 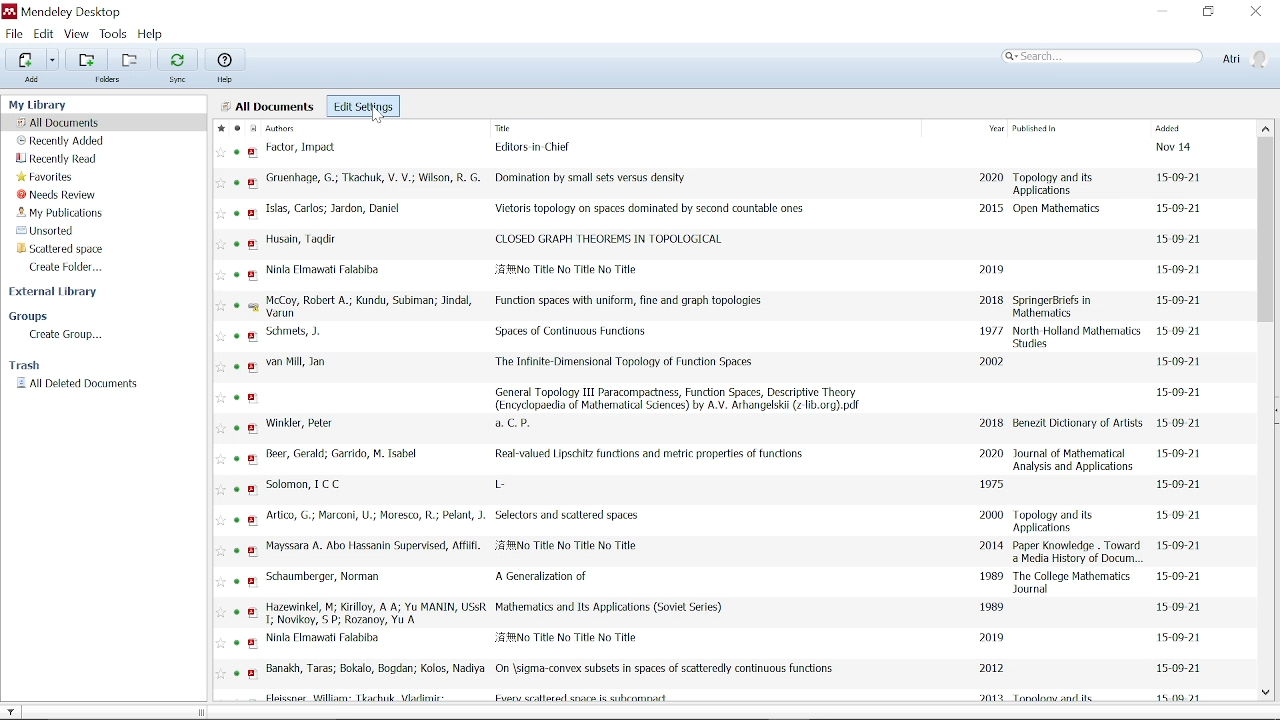 What do you see at coordinates (115, 35) in the screenshot?
I see `Tools` at bounding box center [115, 35].